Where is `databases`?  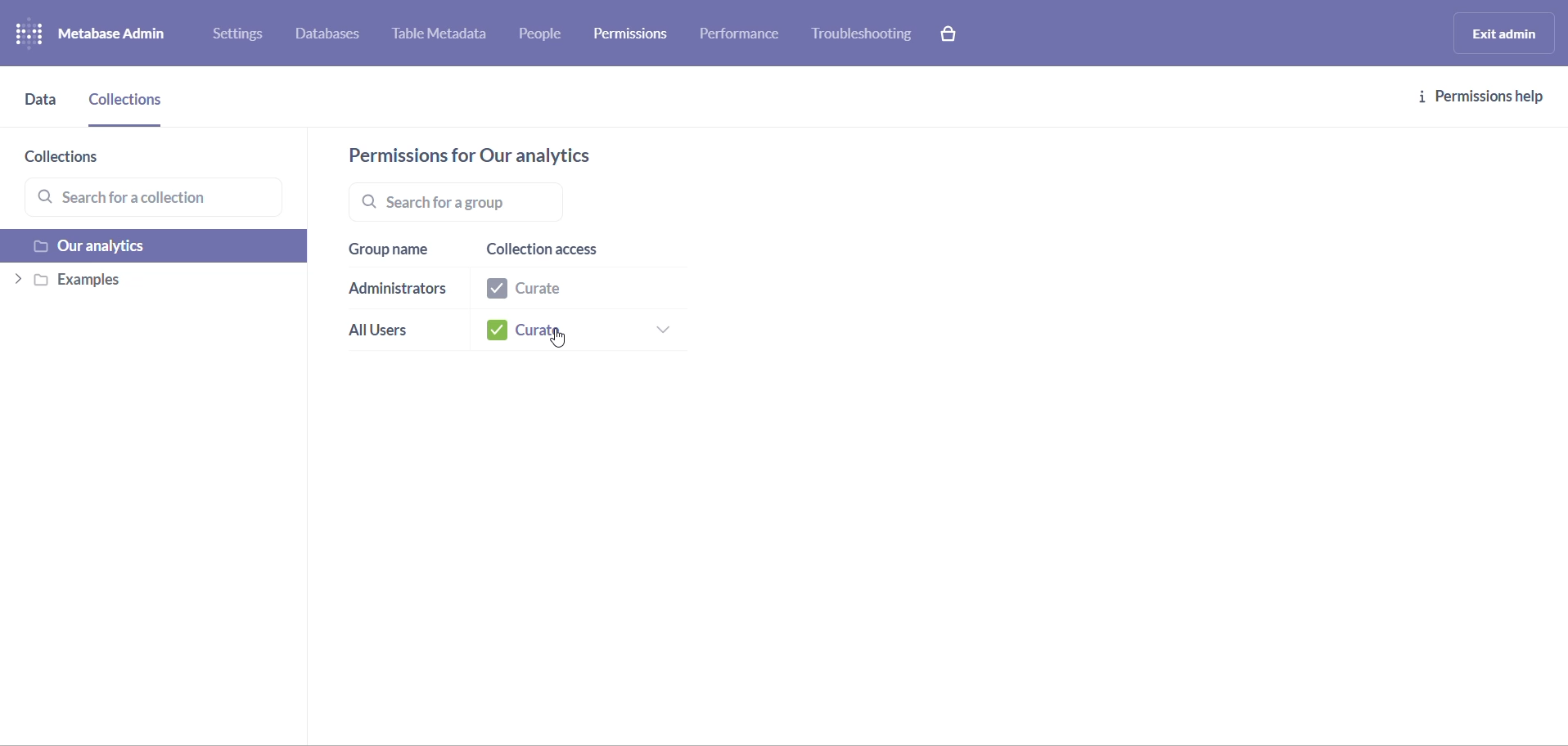 databases is located at coordinates (336, 36).